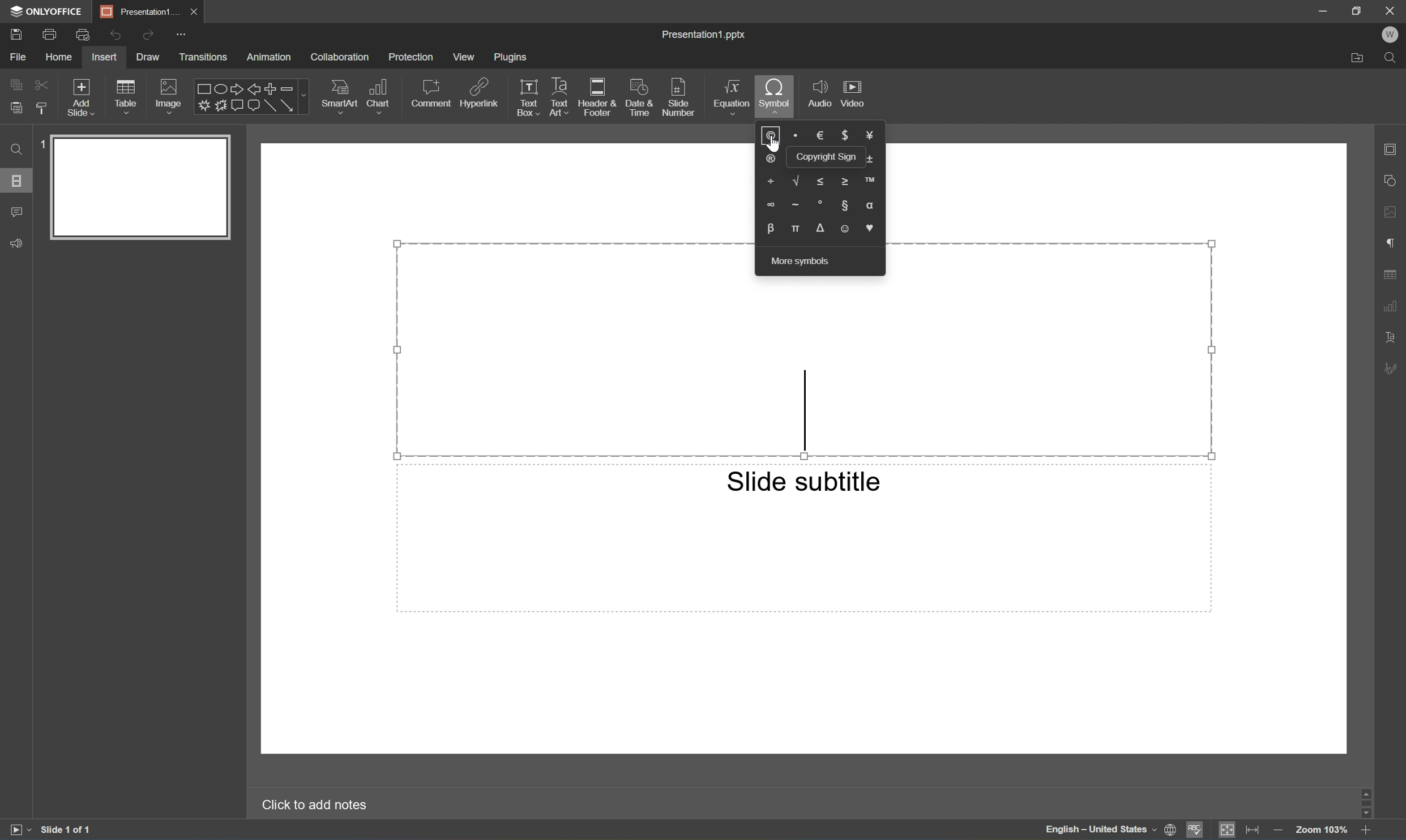 Image resolution: width=1406 pixels, height=840 pixels. Describe the element at coordinates (79, 97) in the screenshot. I see `Add slide` at that location.